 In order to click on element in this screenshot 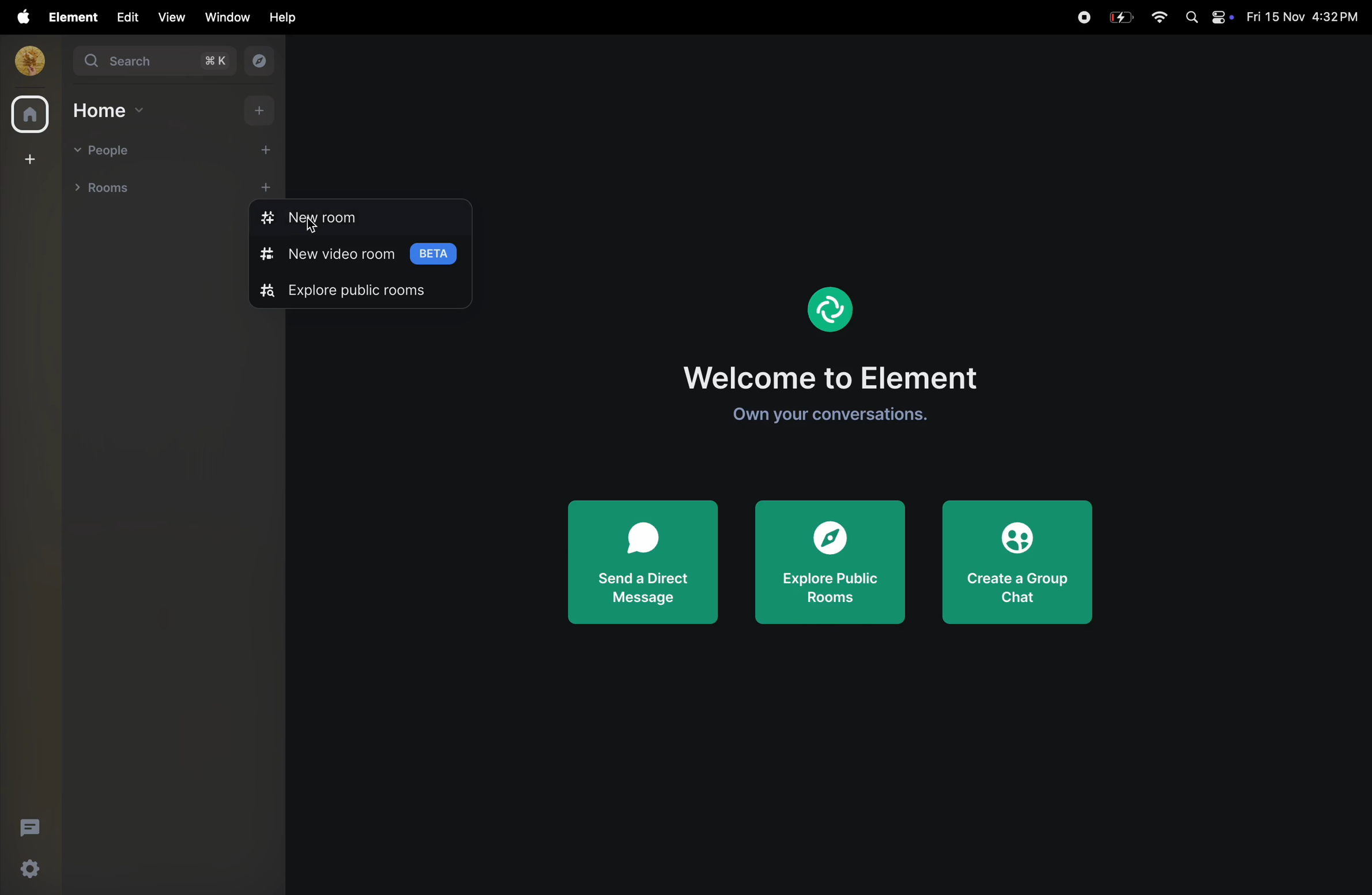, I will do `click(68, 17)`.